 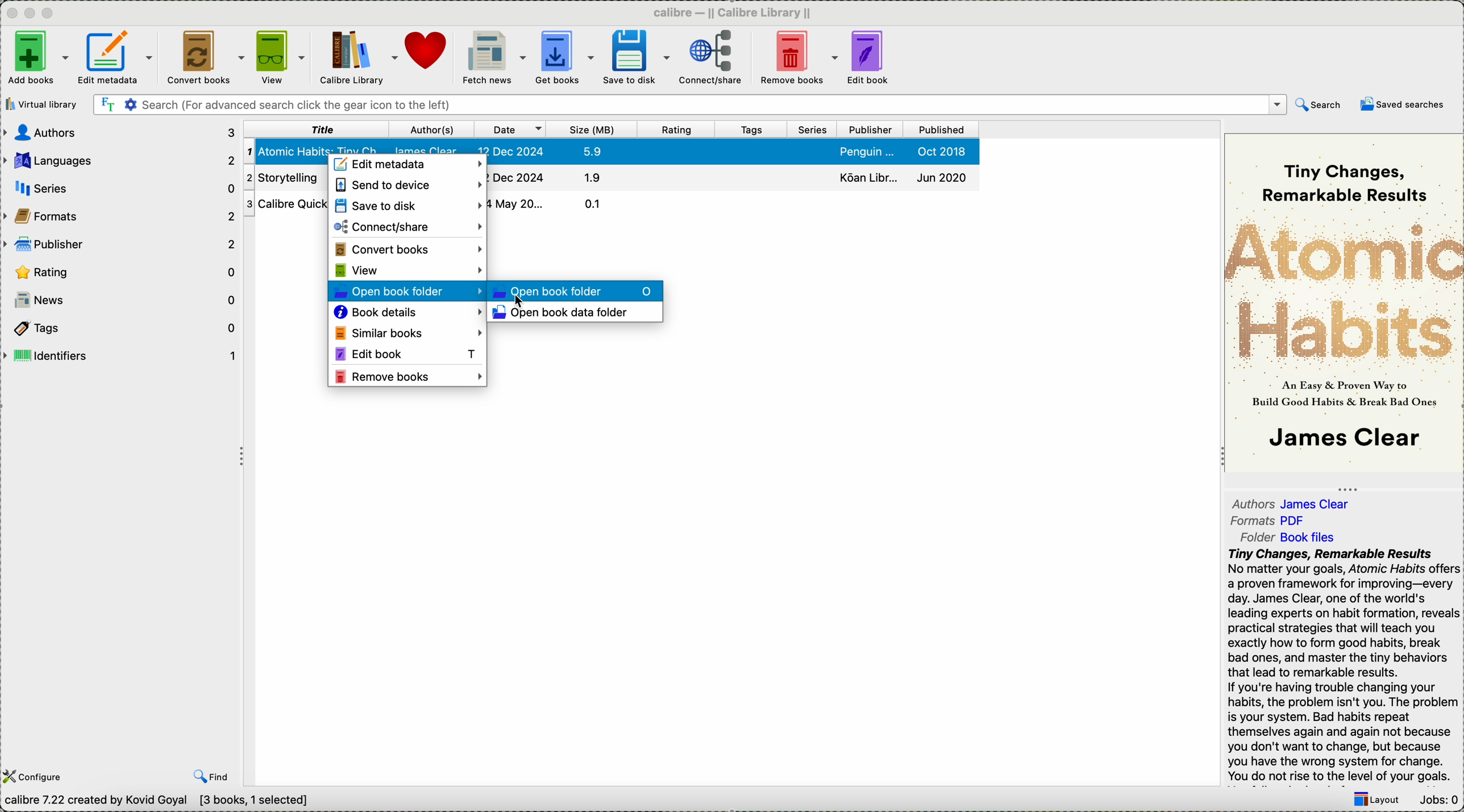 What do you see at coordinates (737, 12) in the screenshot?
I see `Calibre` at bounding box center [737, 12].